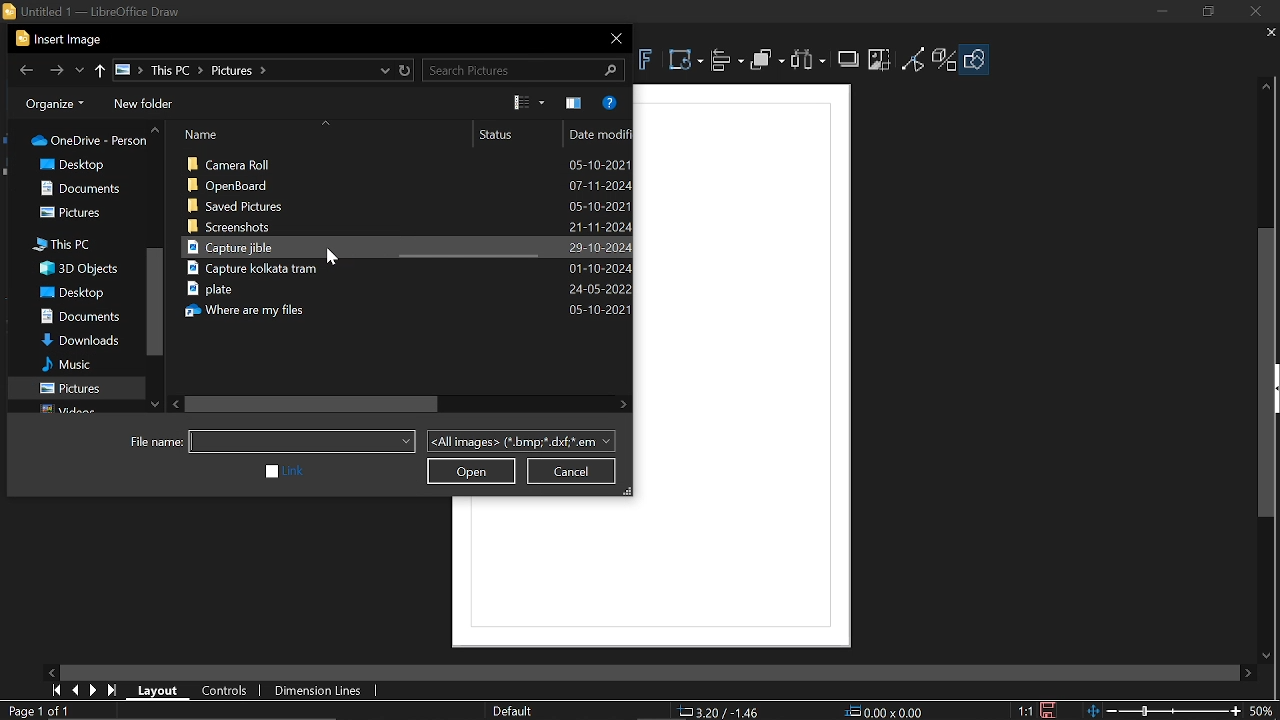  I want to click on vertical scrollbar, so click(1260, 372).